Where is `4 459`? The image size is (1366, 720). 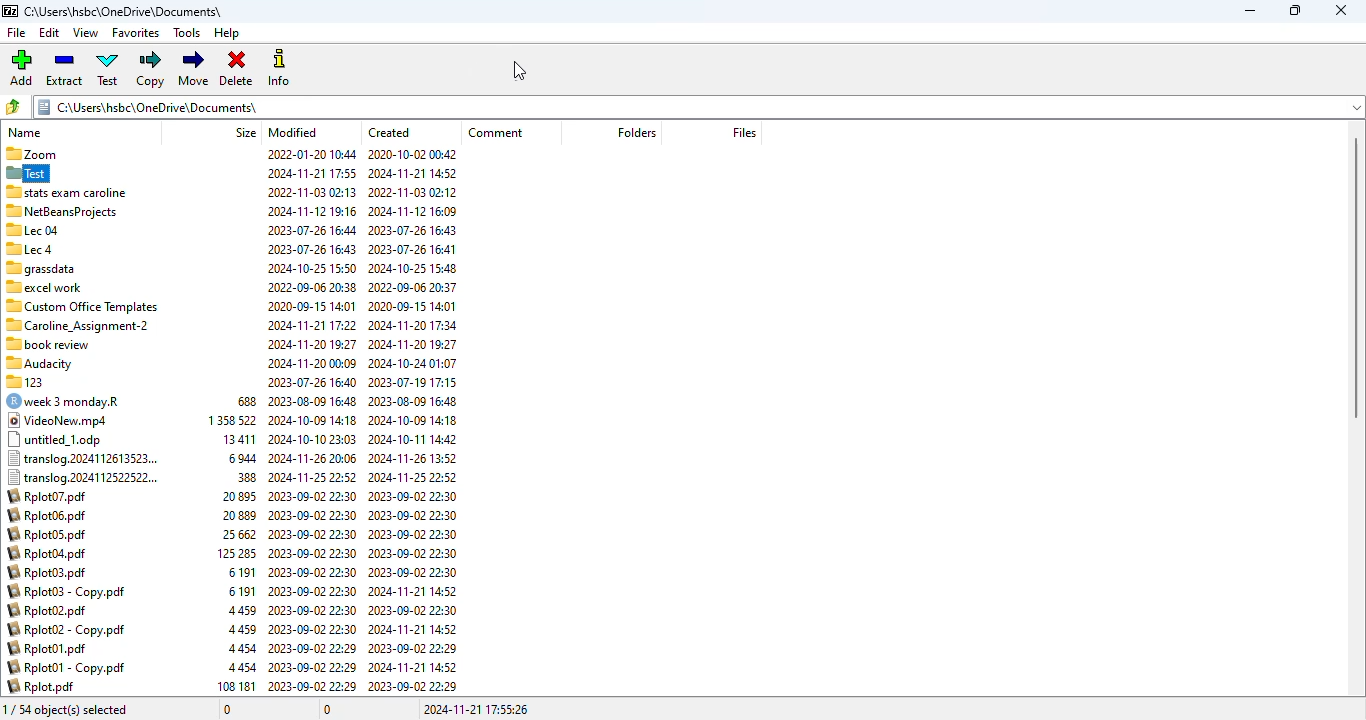
4 459 is located at coordinates (242, 629).